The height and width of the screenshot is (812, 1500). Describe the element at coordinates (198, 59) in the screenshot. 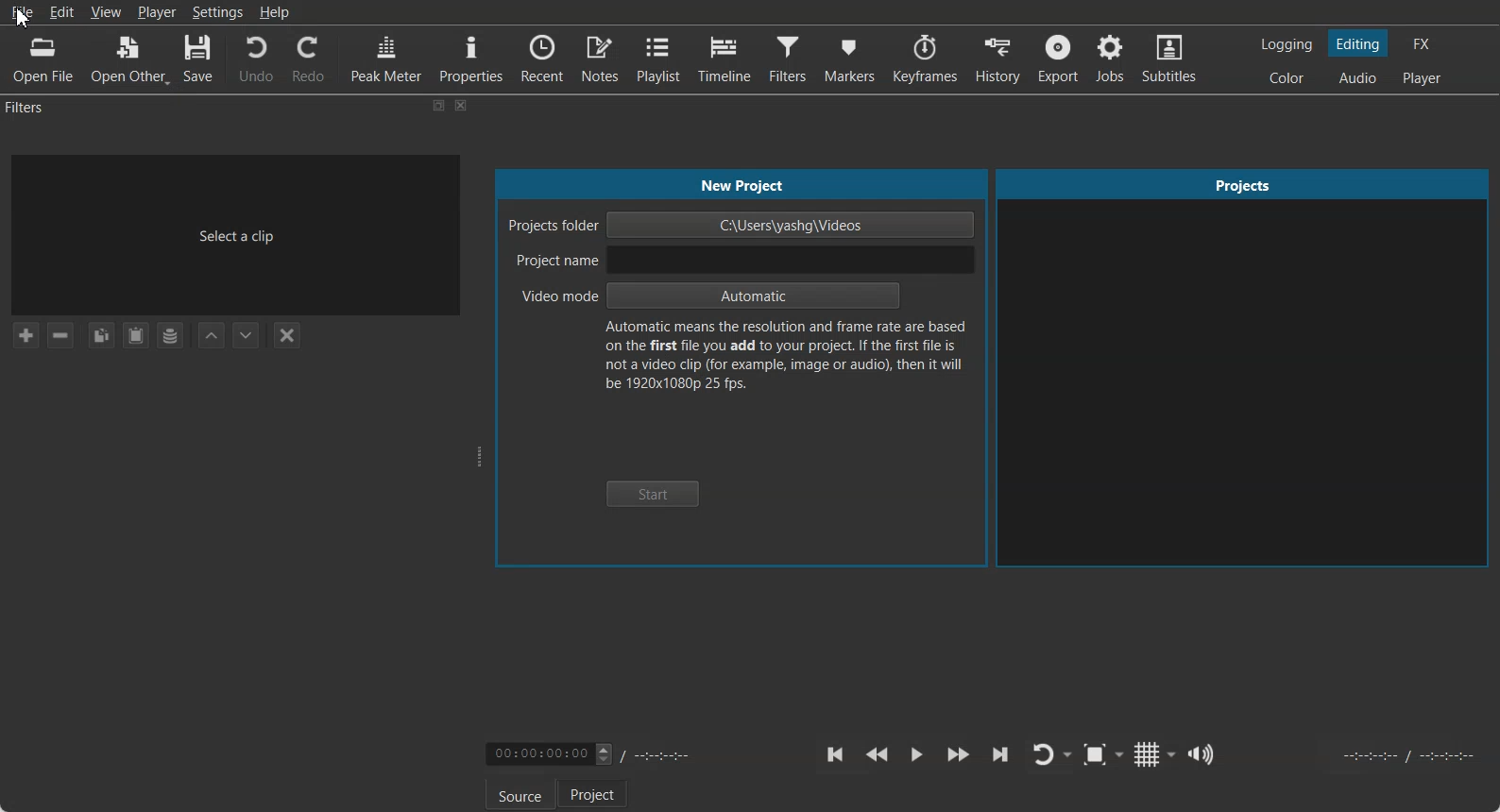

I see `Save` at that location.